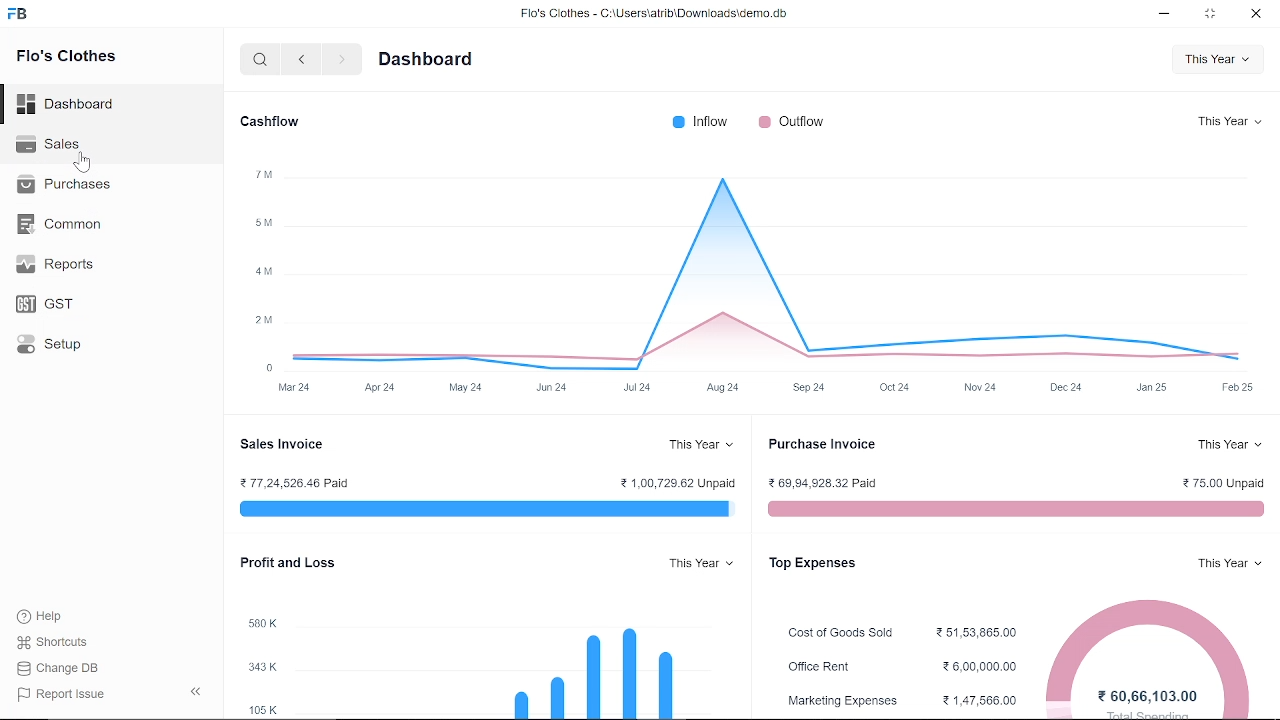  What do you see at coordinates (302, 61) in the screenshot?
I see `previous` at bounding box center [302, 61].